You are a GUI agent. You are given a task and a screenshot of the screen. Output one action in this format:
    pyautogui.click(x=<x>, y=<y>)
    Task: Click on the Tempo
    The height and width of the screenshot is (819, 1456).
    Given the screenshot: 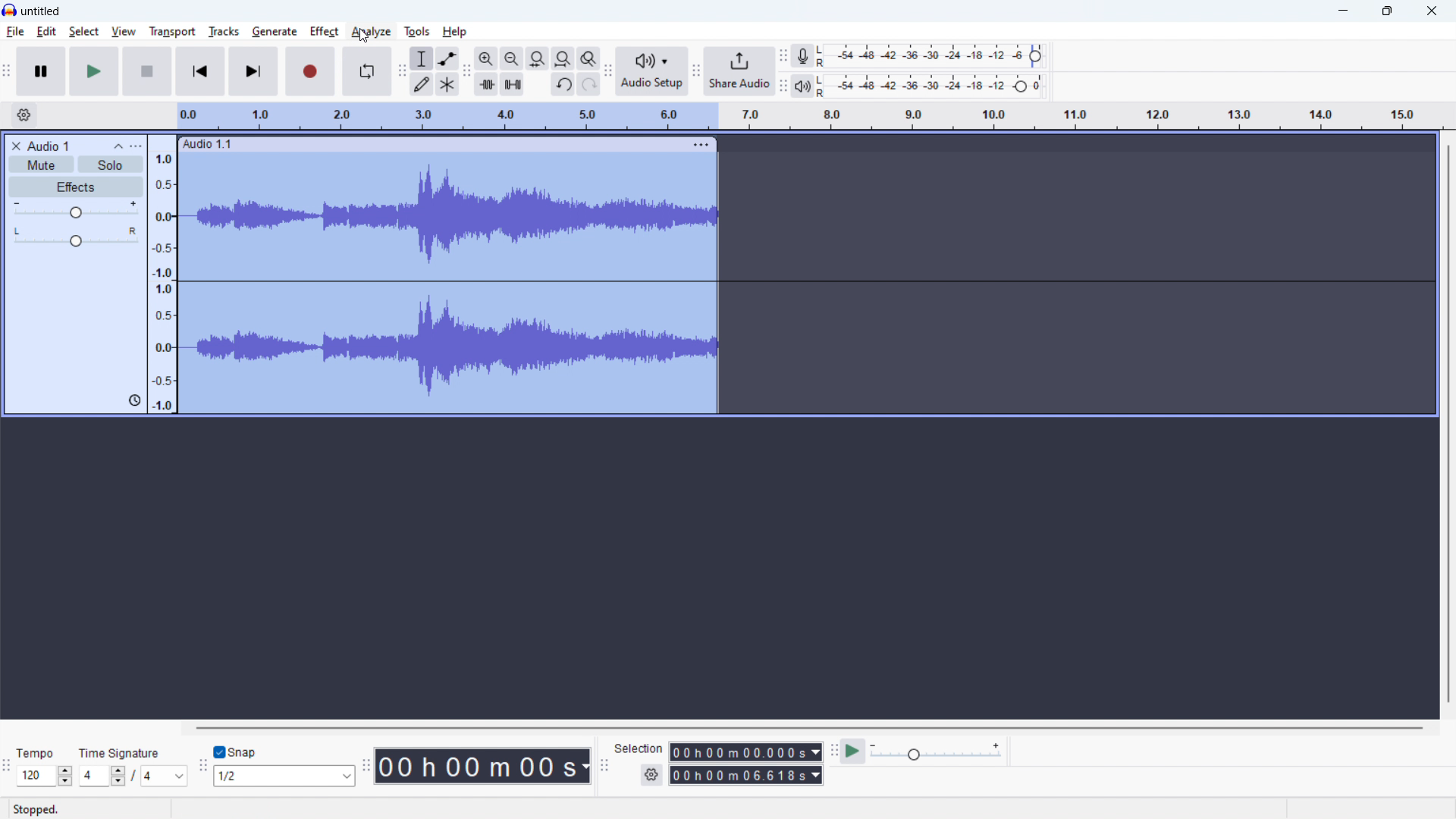 What is the action you would take?
    pyautogui.click(x=38, y=753)
    